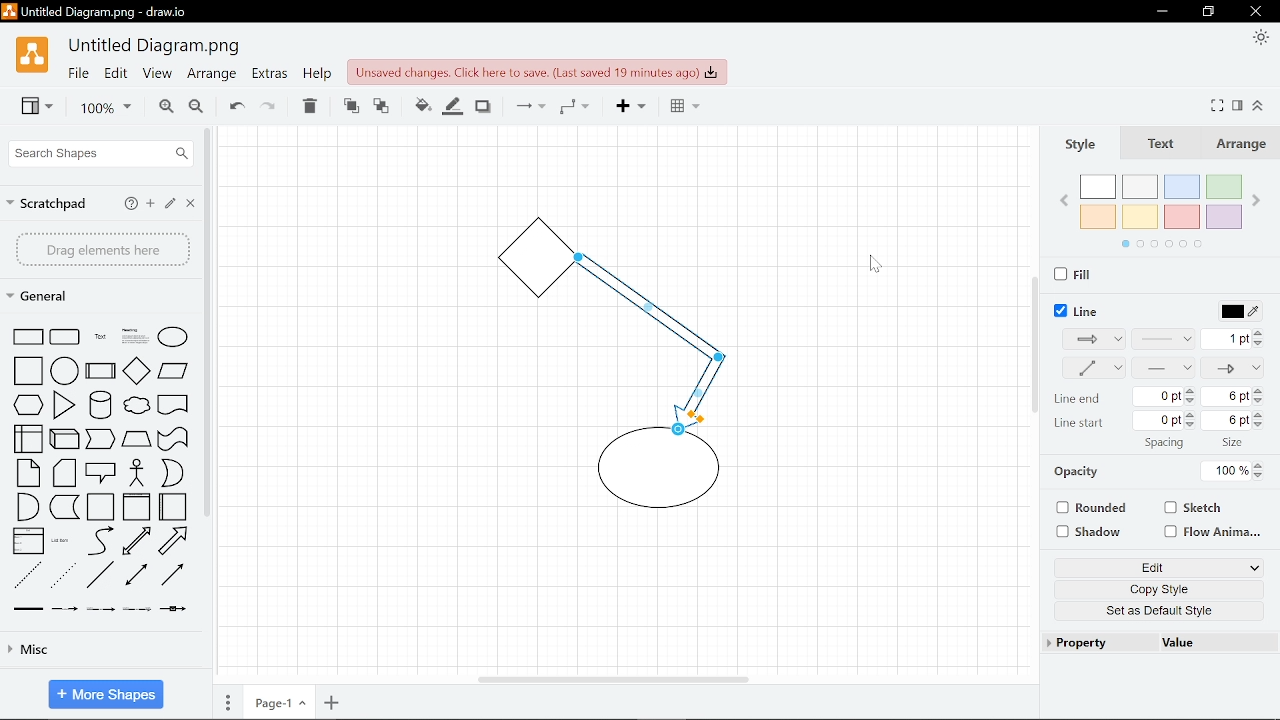  I want to click on shape, so click(24, 371).